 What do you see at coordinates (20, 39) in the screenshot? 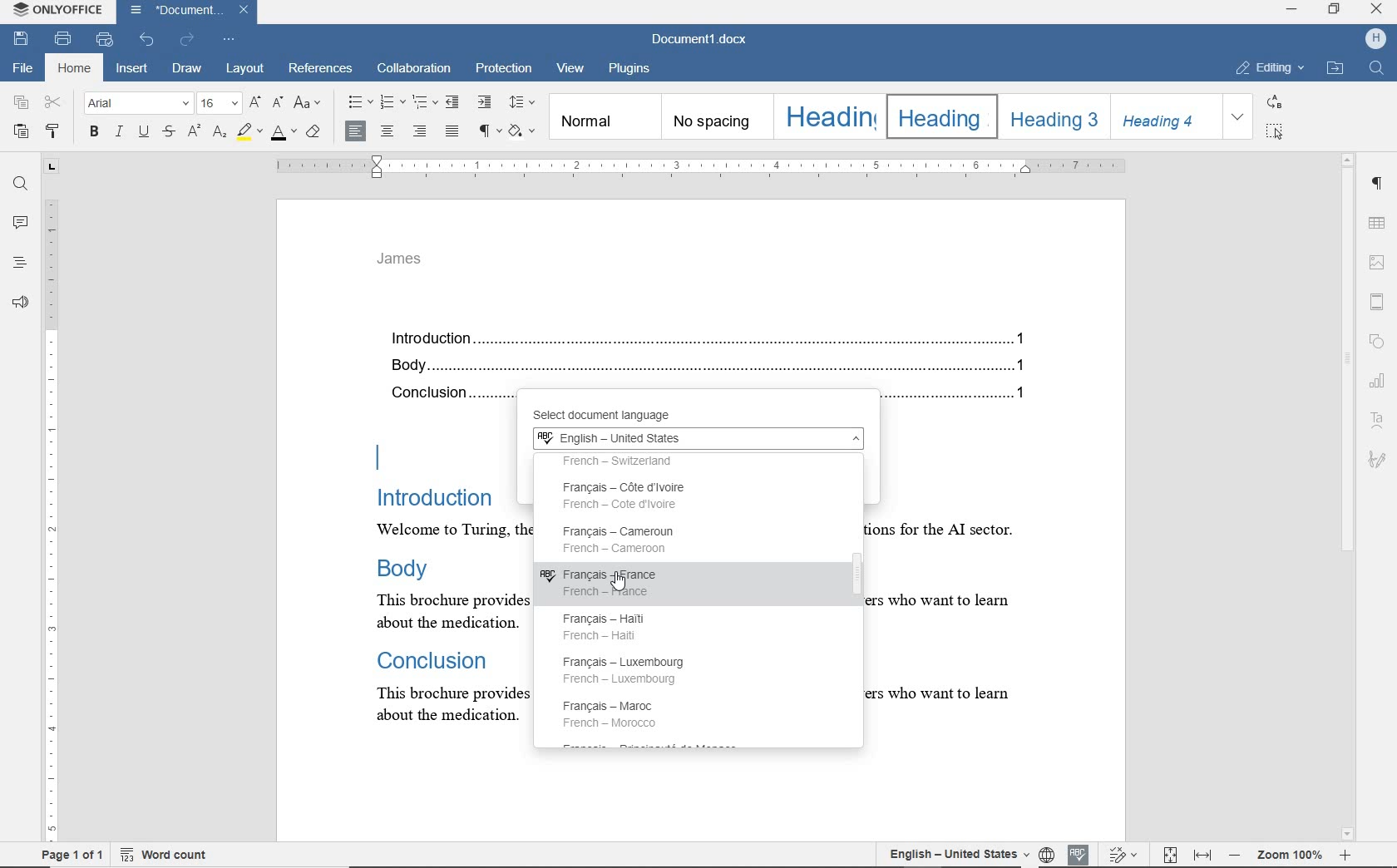
I see `save` at bounding box center [20, 39].